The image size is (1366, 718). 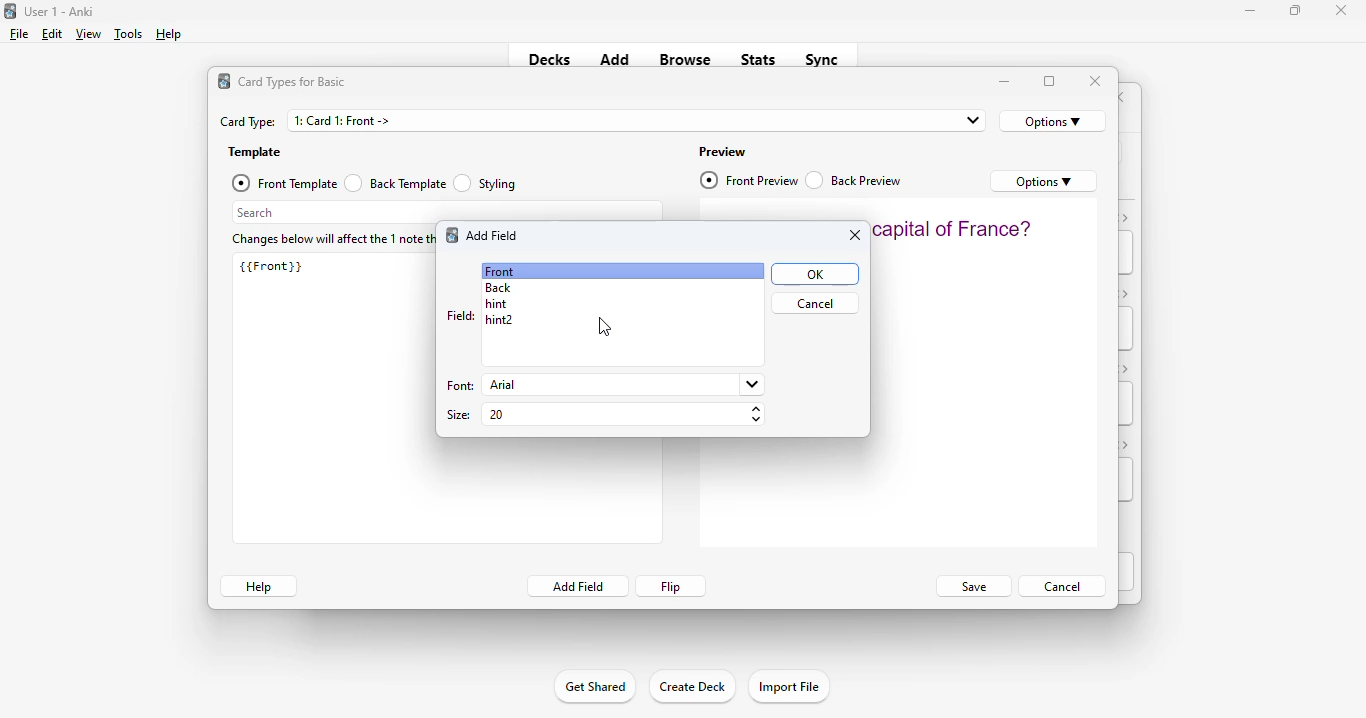 What do you see at coordinates (499, 271) in the screenshot?
I see `front` at bounding box center [499, 271].